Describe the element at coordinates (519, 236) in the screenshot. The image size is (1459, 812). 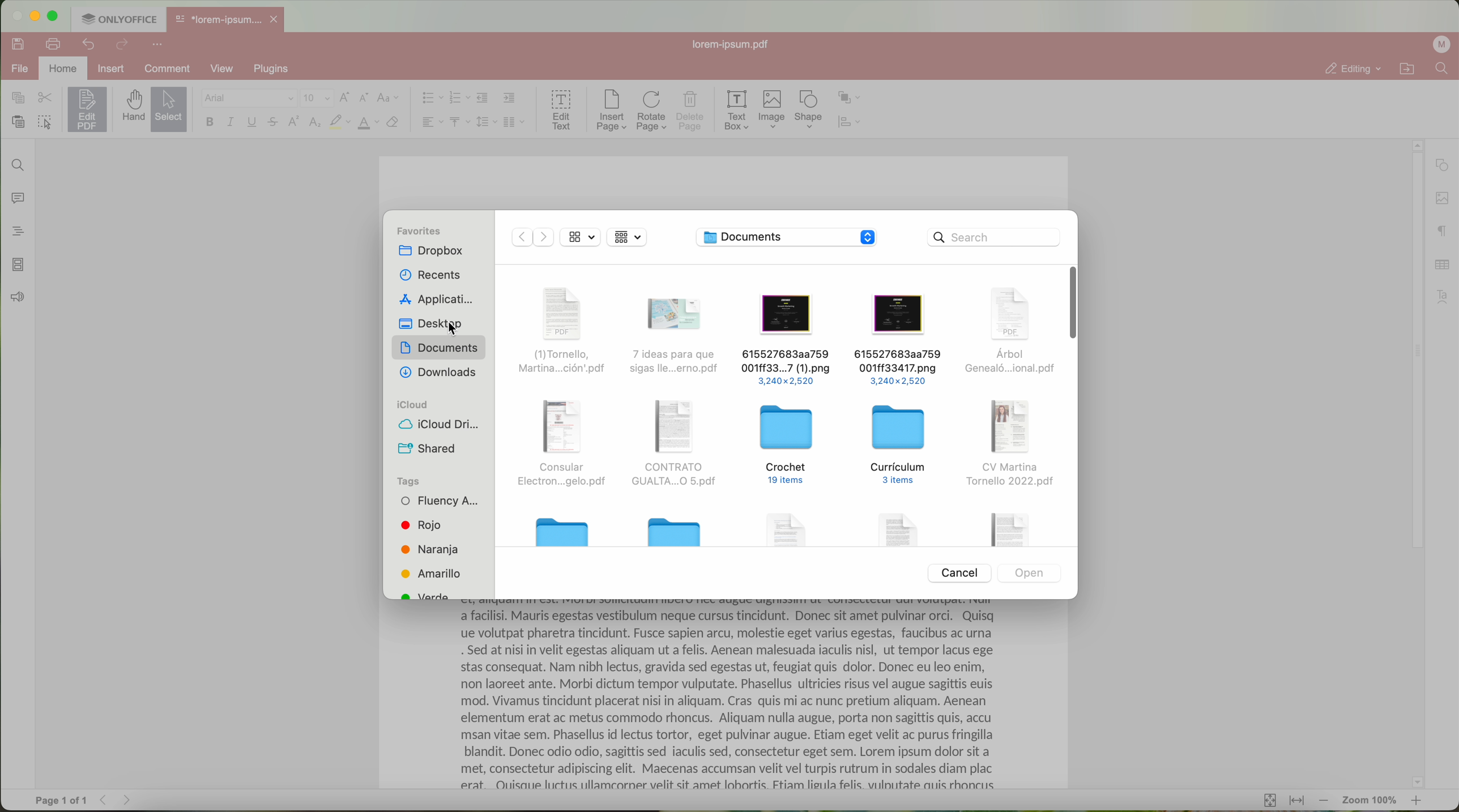
I see `Backward` at that location.